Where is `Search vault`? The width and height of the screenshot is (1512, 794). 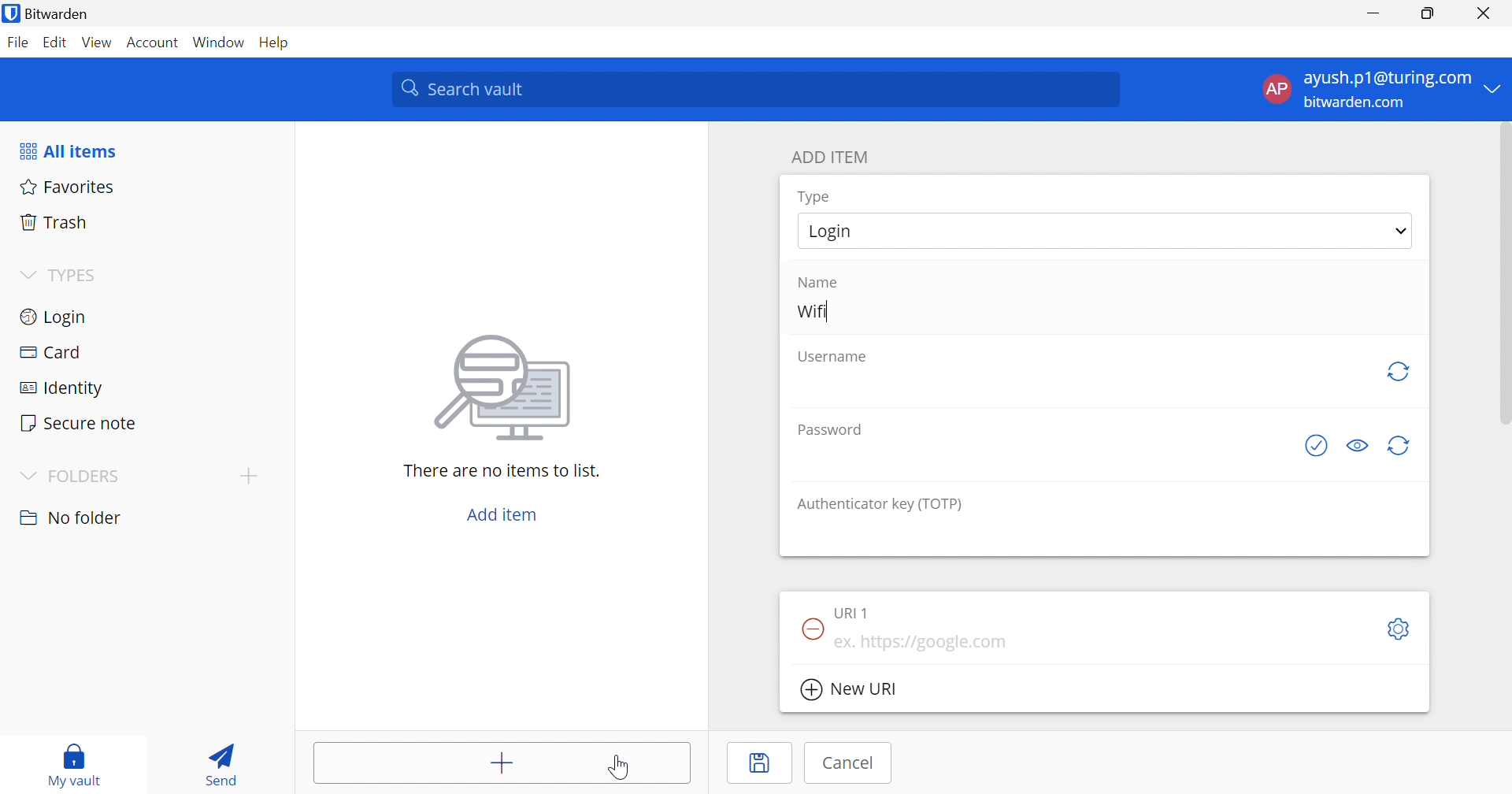
Search vault is located at coordinates (754, 89).